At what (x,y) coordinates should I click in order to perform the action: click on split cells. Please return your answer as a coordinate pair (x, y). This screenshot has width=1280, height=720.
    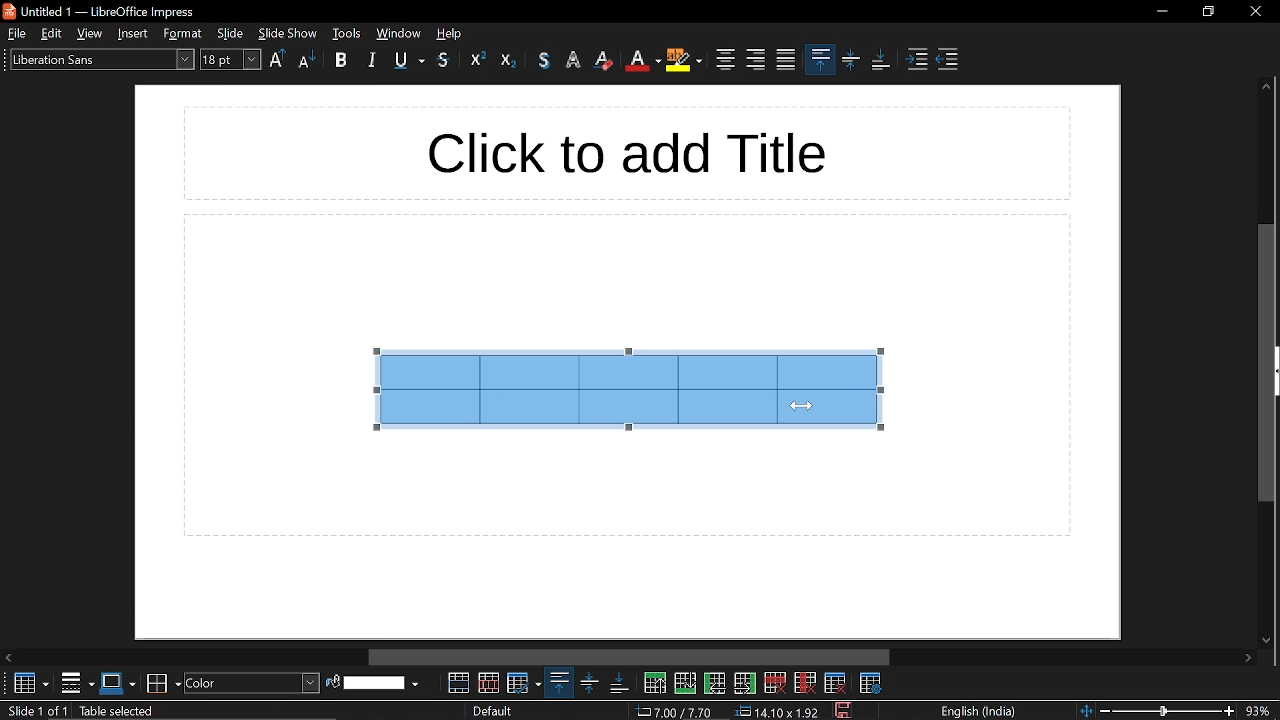
    Looking at the image, I should click on (489, 683).